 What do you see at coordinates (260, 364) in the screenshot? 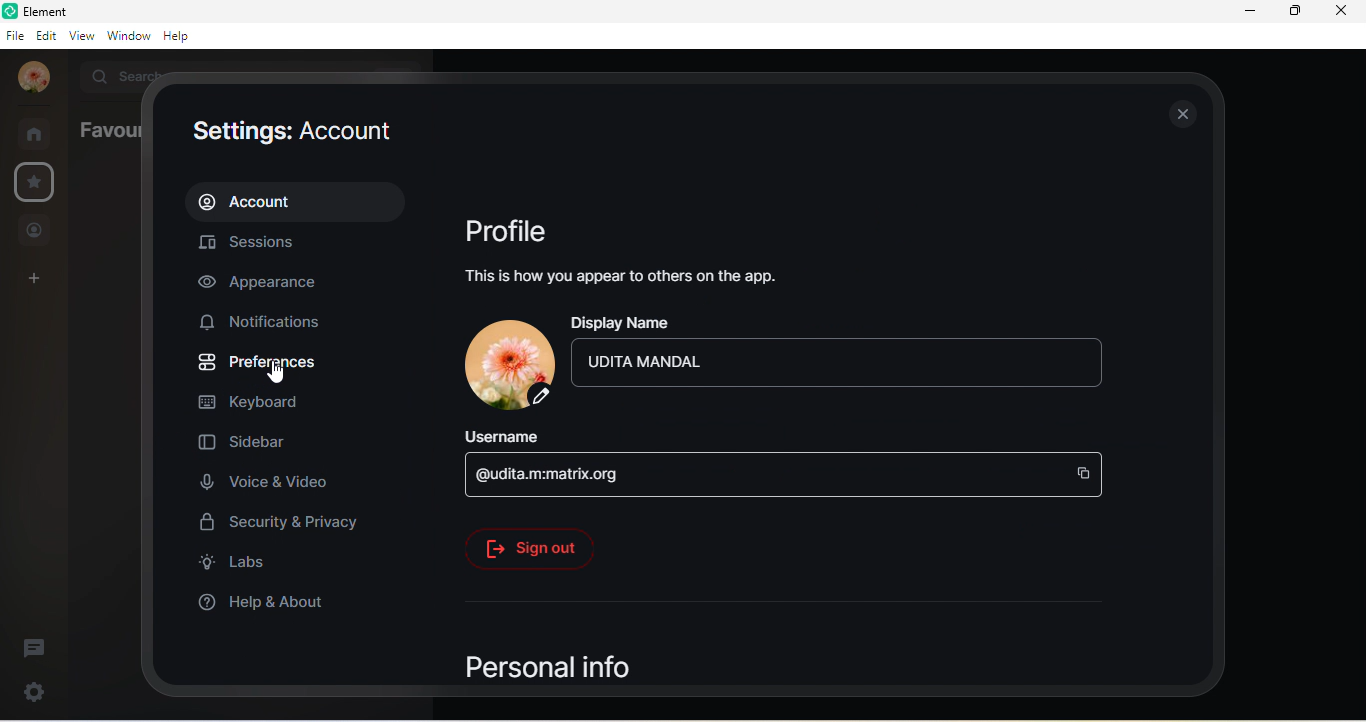
I see `preference` at bounding box center [260, 364].